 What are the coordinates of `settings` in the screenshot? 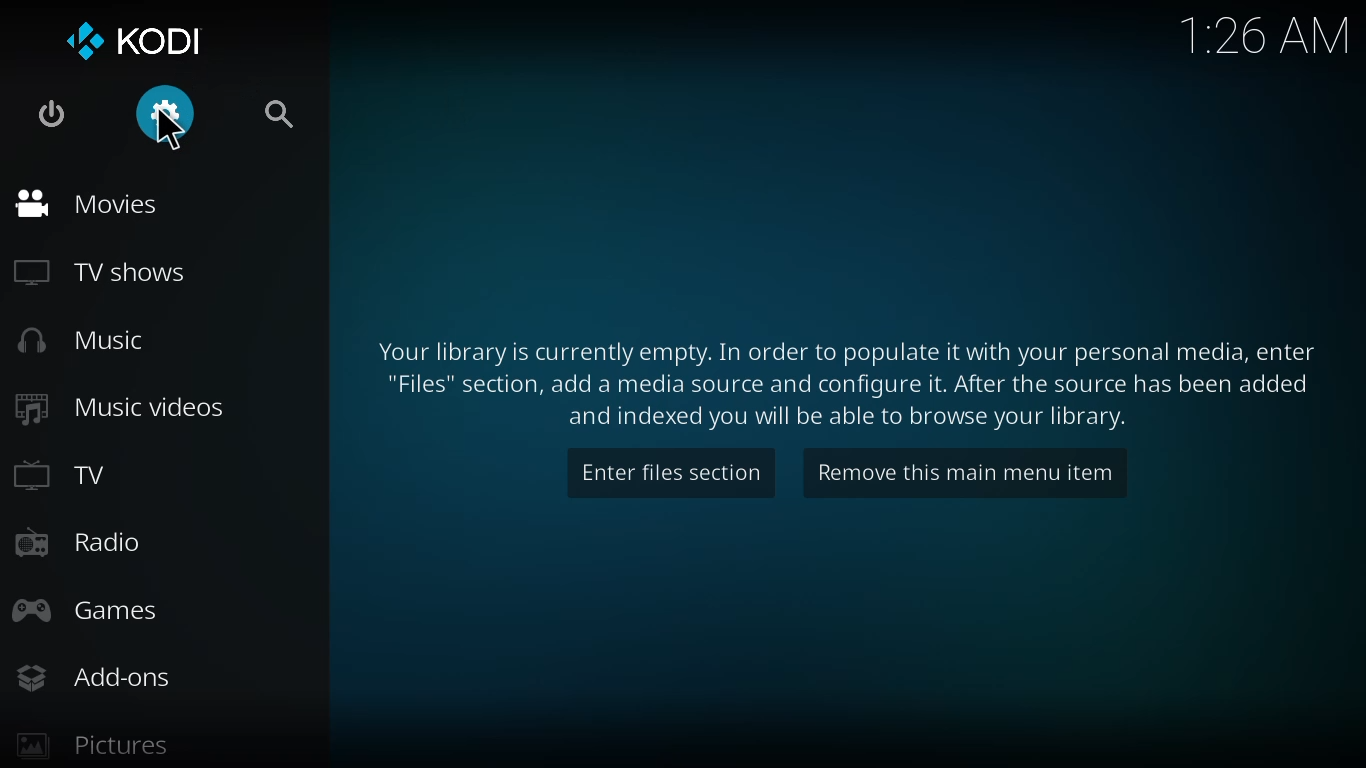 It's located at (160, 115).